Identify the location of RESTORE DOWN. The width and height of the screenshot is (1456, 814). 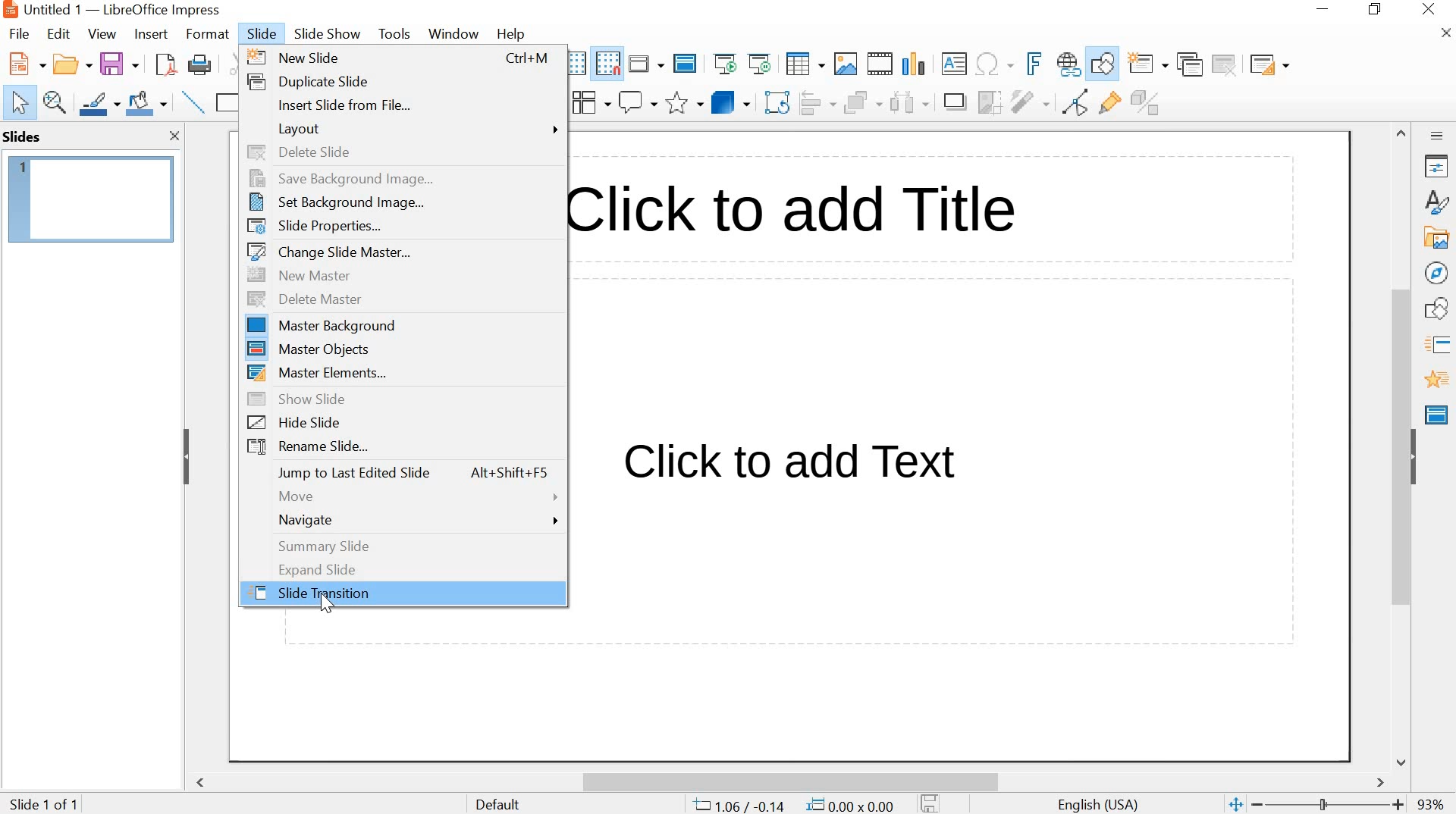
(1376, 9).